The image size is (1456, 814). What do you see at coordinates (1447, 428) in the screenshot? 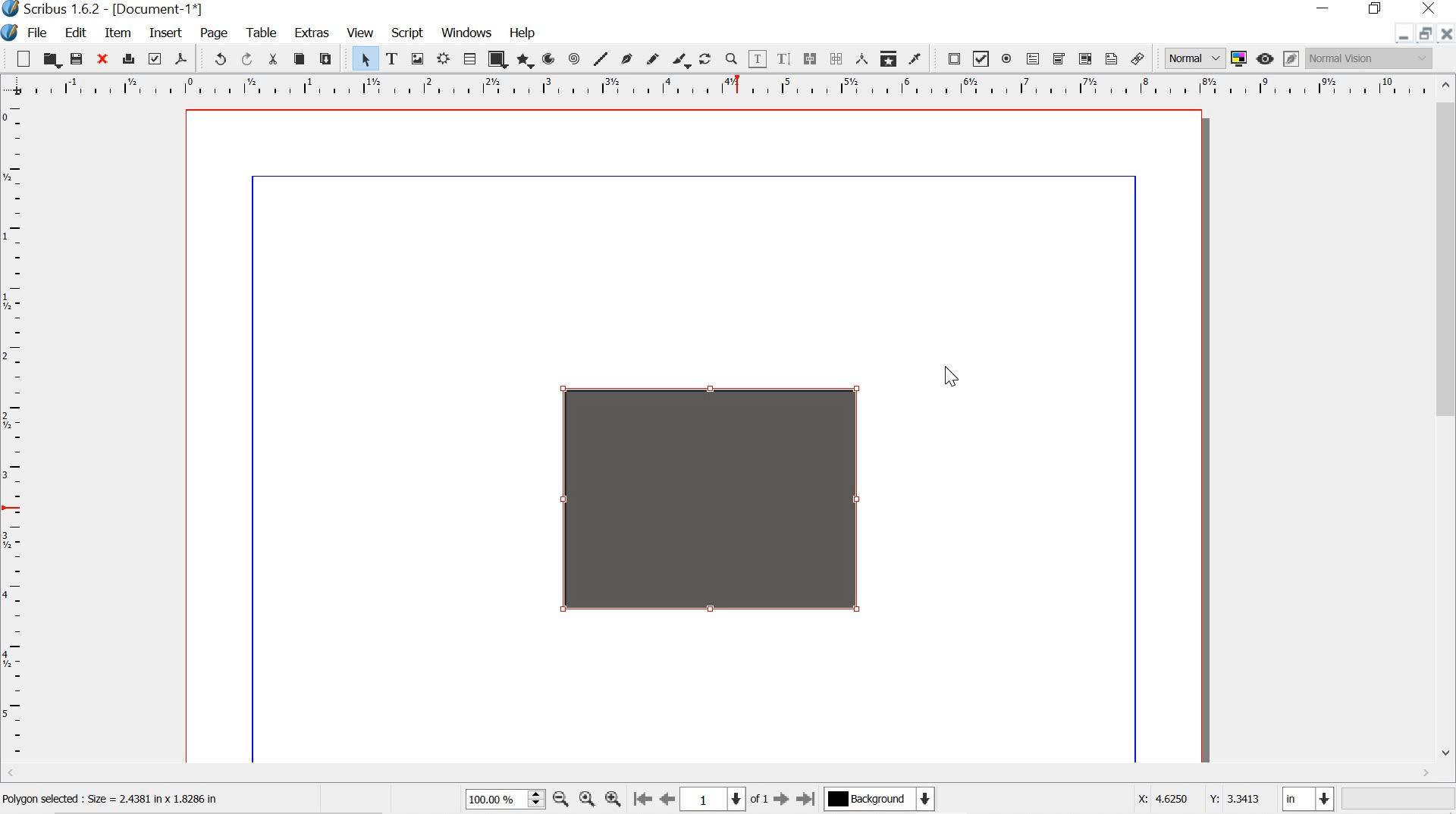
I see `scrollbar` at bounding box center [1447, 428].